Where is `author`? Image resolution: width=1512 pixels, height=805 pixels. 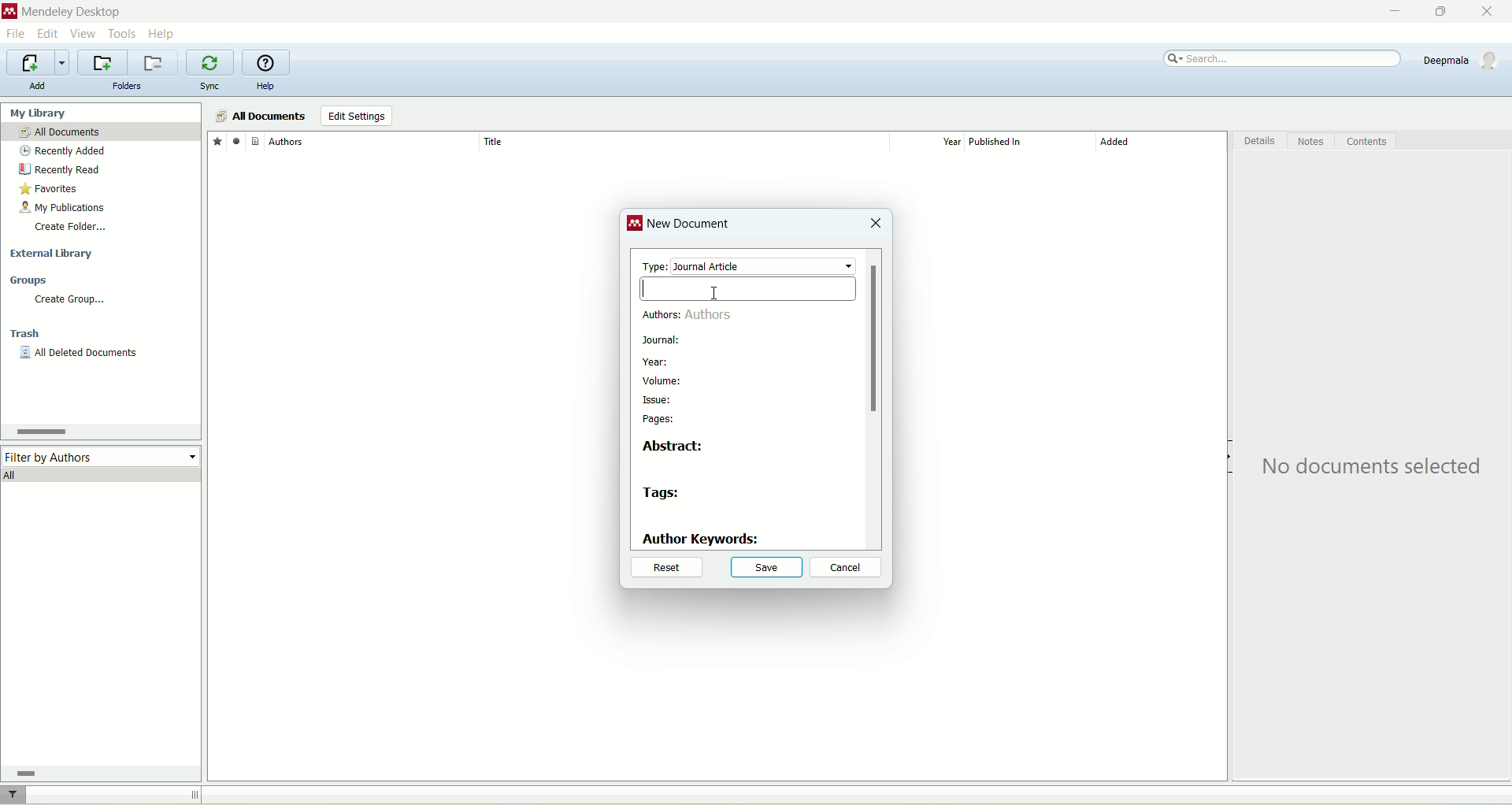
author is located at coordinates (373, 142).